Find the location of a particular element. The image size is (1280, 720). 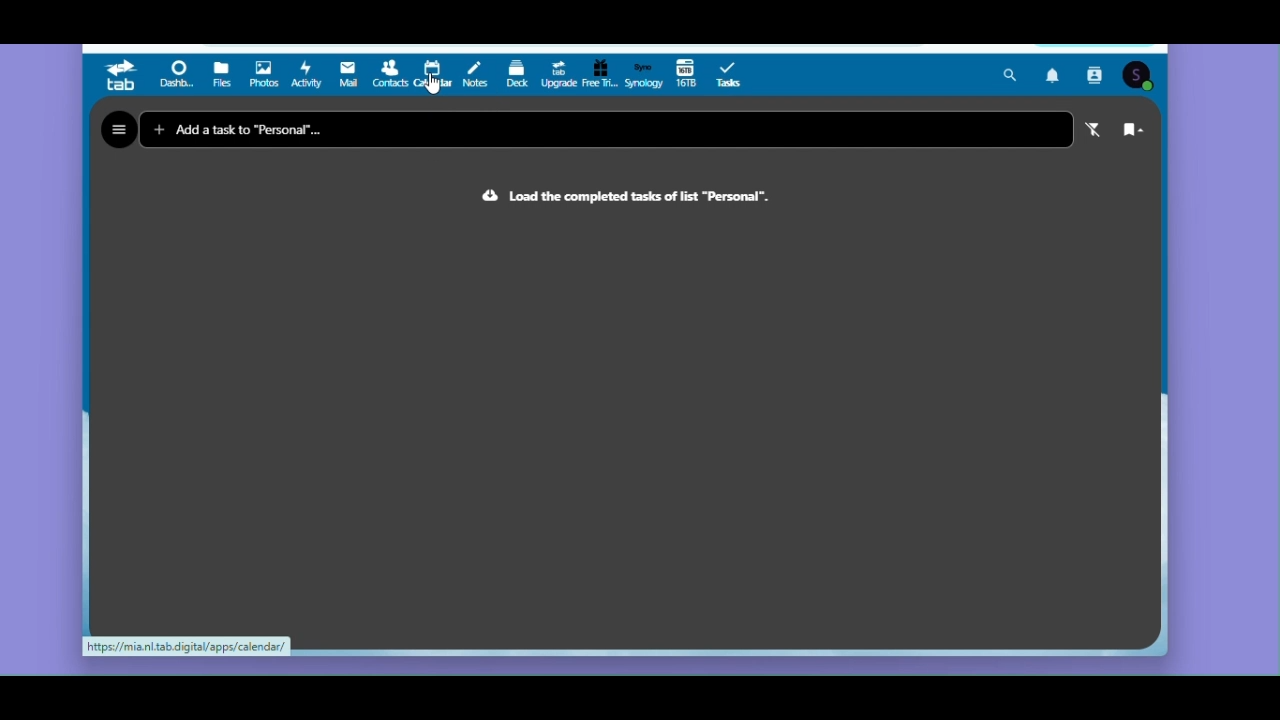

Free trial is located at coordinates (599, 76).